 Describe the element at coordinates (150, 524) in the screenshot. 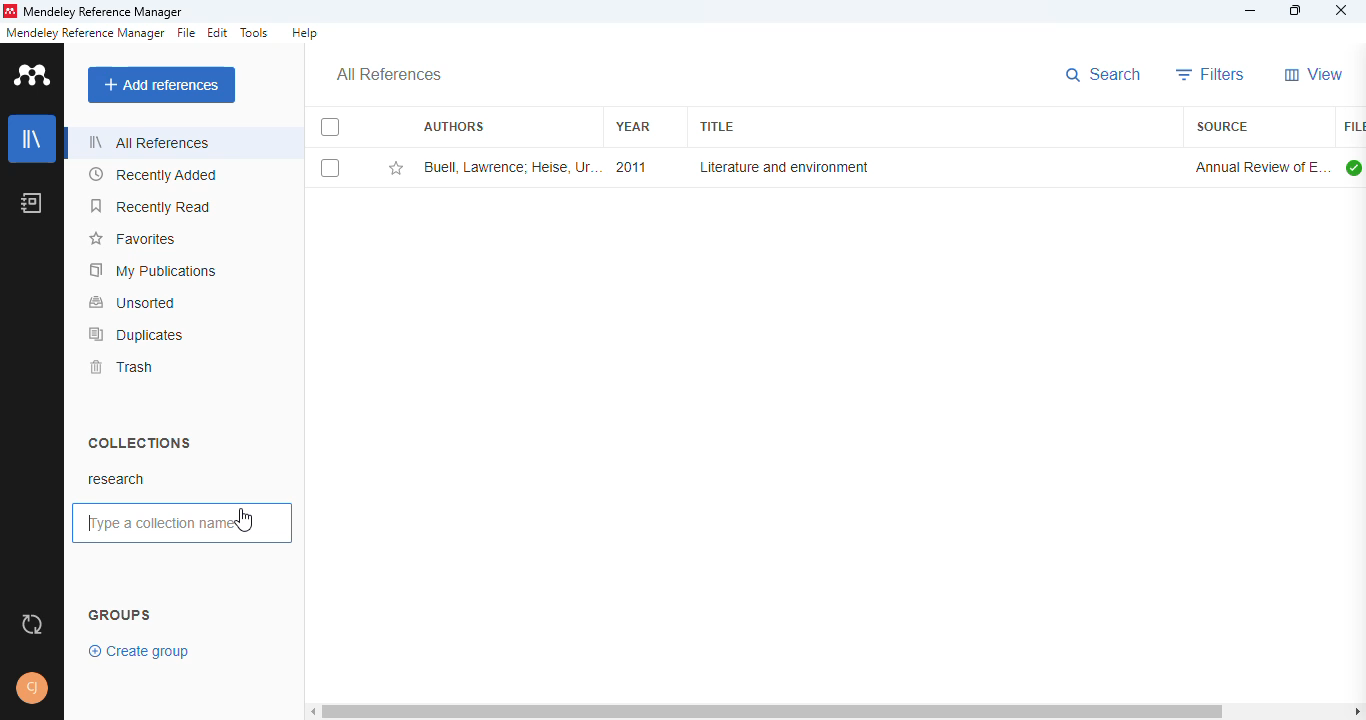

I see `Collection name being typed` at that location.